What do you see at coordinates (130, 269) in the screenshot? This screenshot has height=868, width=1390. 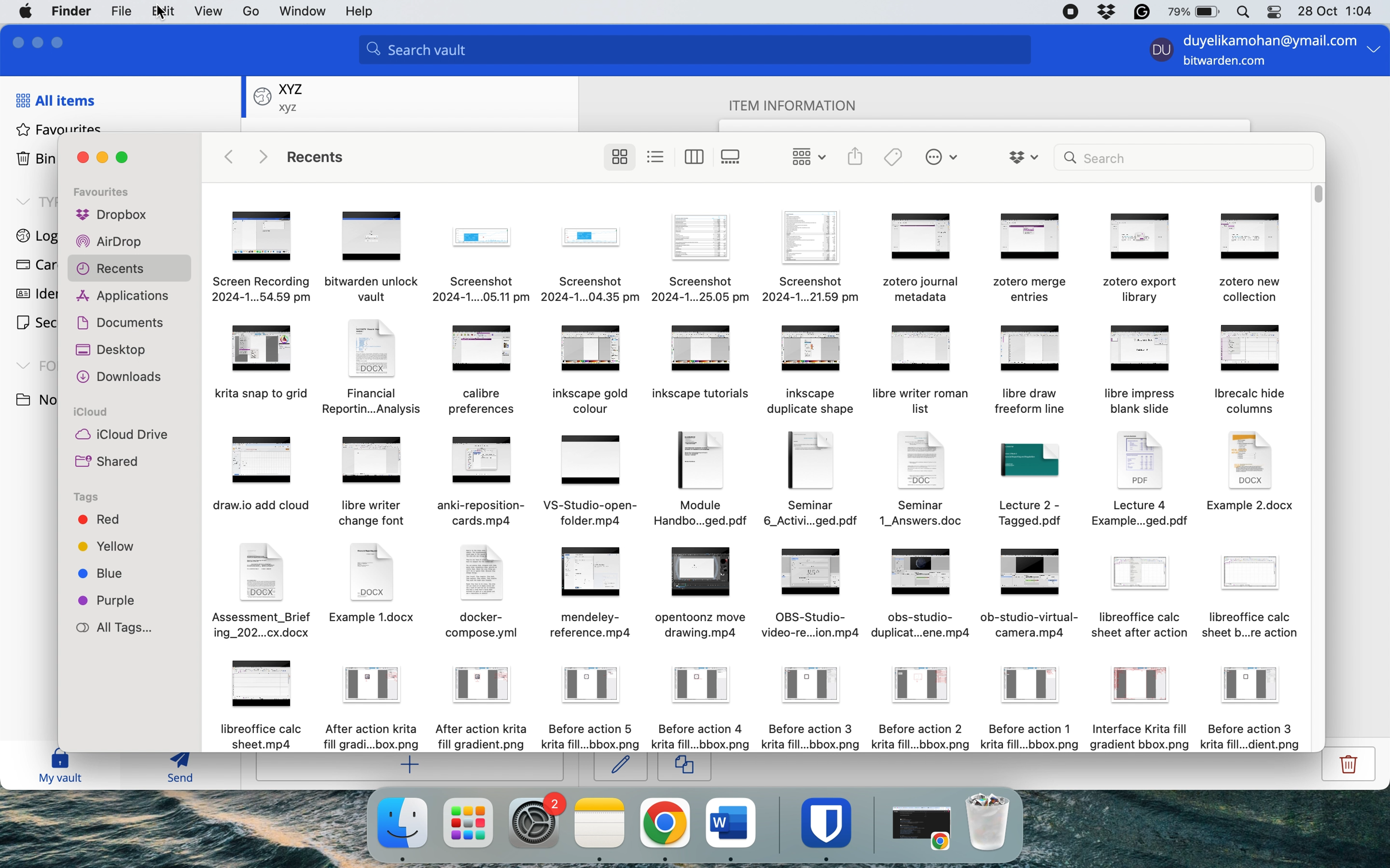 I see `recents` at bounding box center [130, 269].